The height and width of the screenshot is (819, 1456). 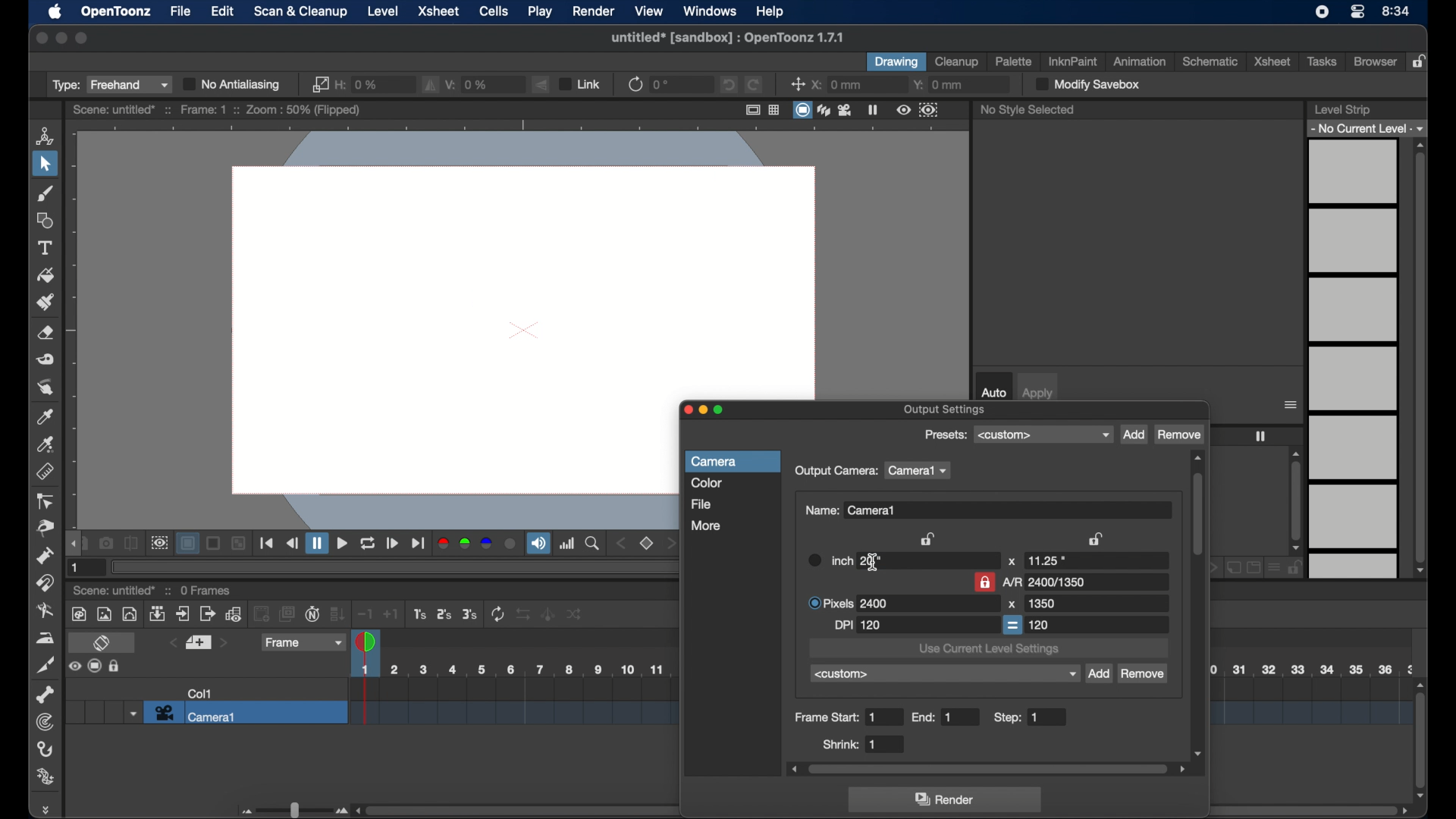 I want to click on custom, so click(x=945, y=674).